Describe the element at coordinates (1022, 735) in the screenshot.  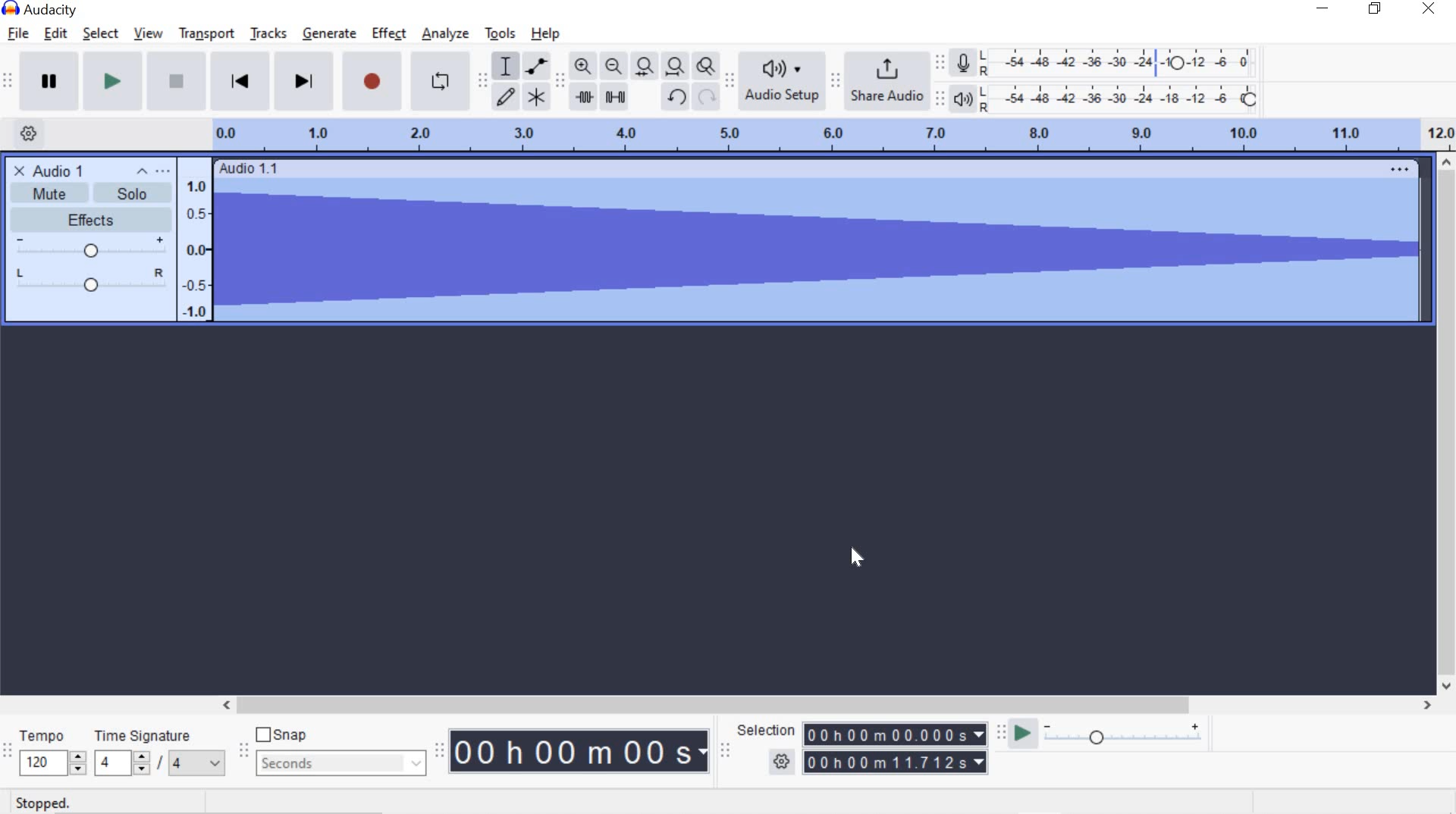
I see `Play-at-speed` at that location.